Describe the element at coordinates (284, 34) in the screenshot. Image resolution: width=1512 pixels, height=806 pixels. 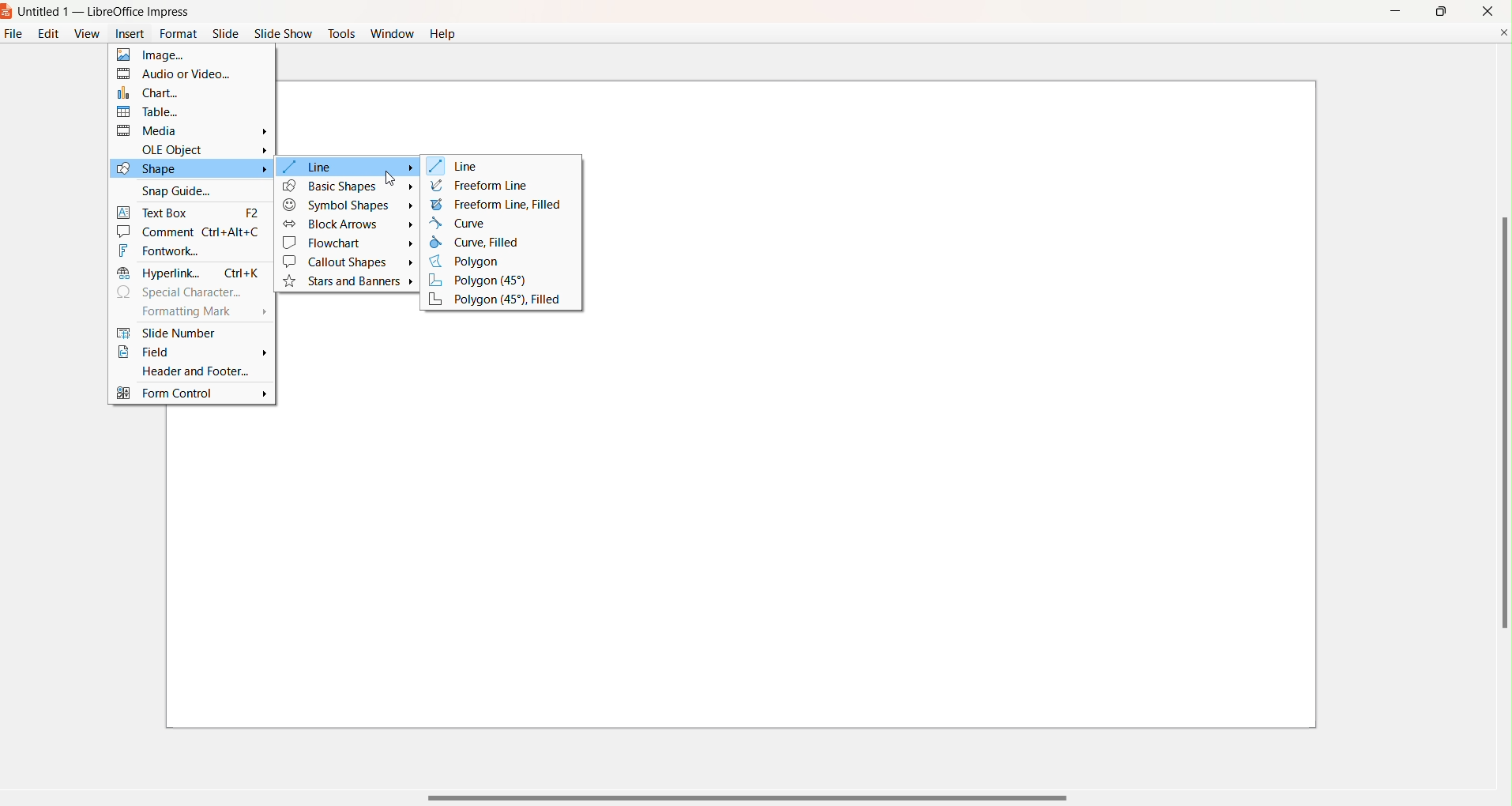
I see `Slide Show` at that location.